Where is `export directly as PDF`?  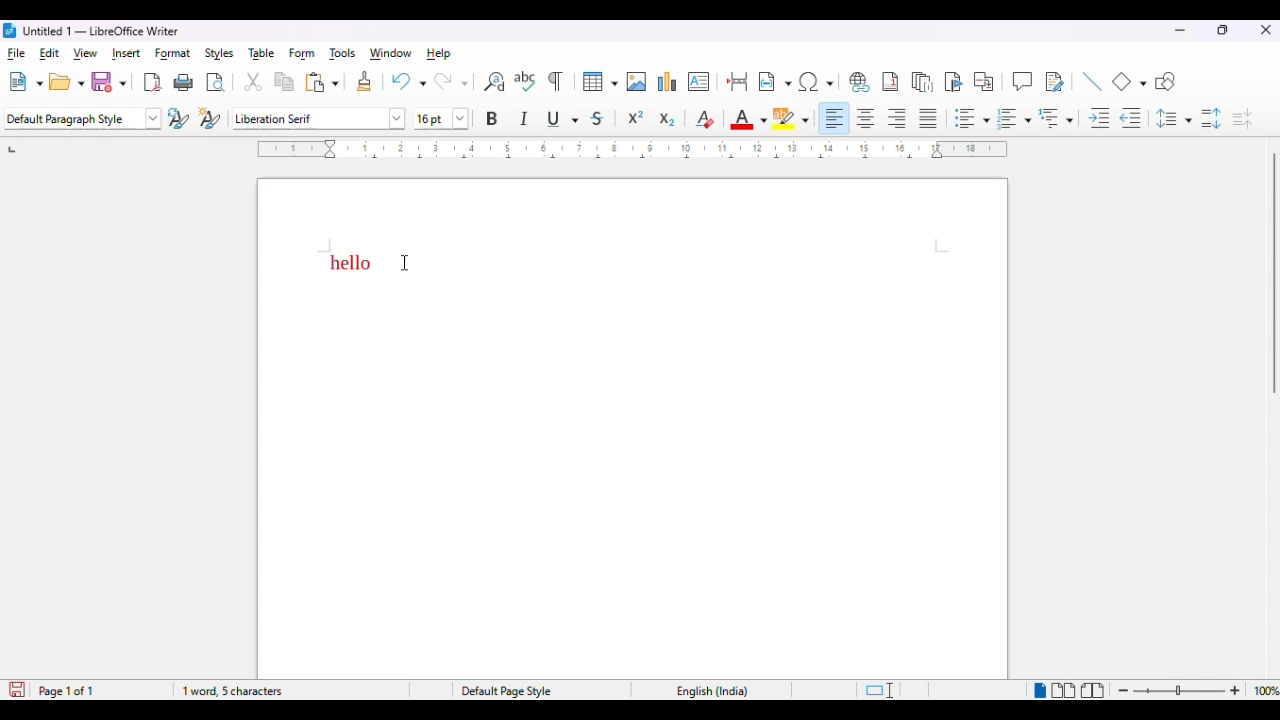
export directly as PDF is located at coordinates (152, 83).